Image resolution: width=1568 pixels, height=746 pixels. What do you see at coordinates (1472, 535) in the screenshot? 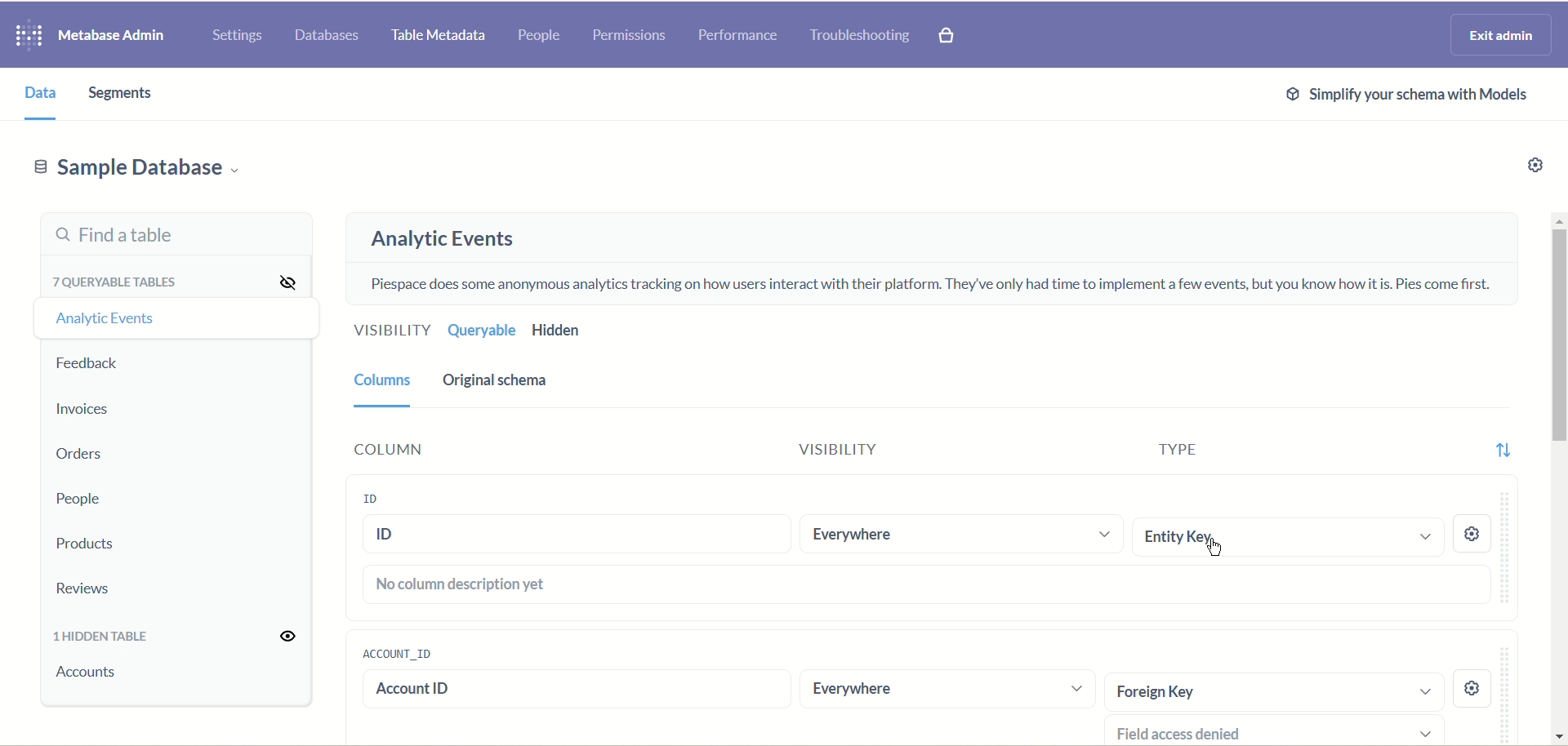
I see `settings` at bounding box center [1472, 535].